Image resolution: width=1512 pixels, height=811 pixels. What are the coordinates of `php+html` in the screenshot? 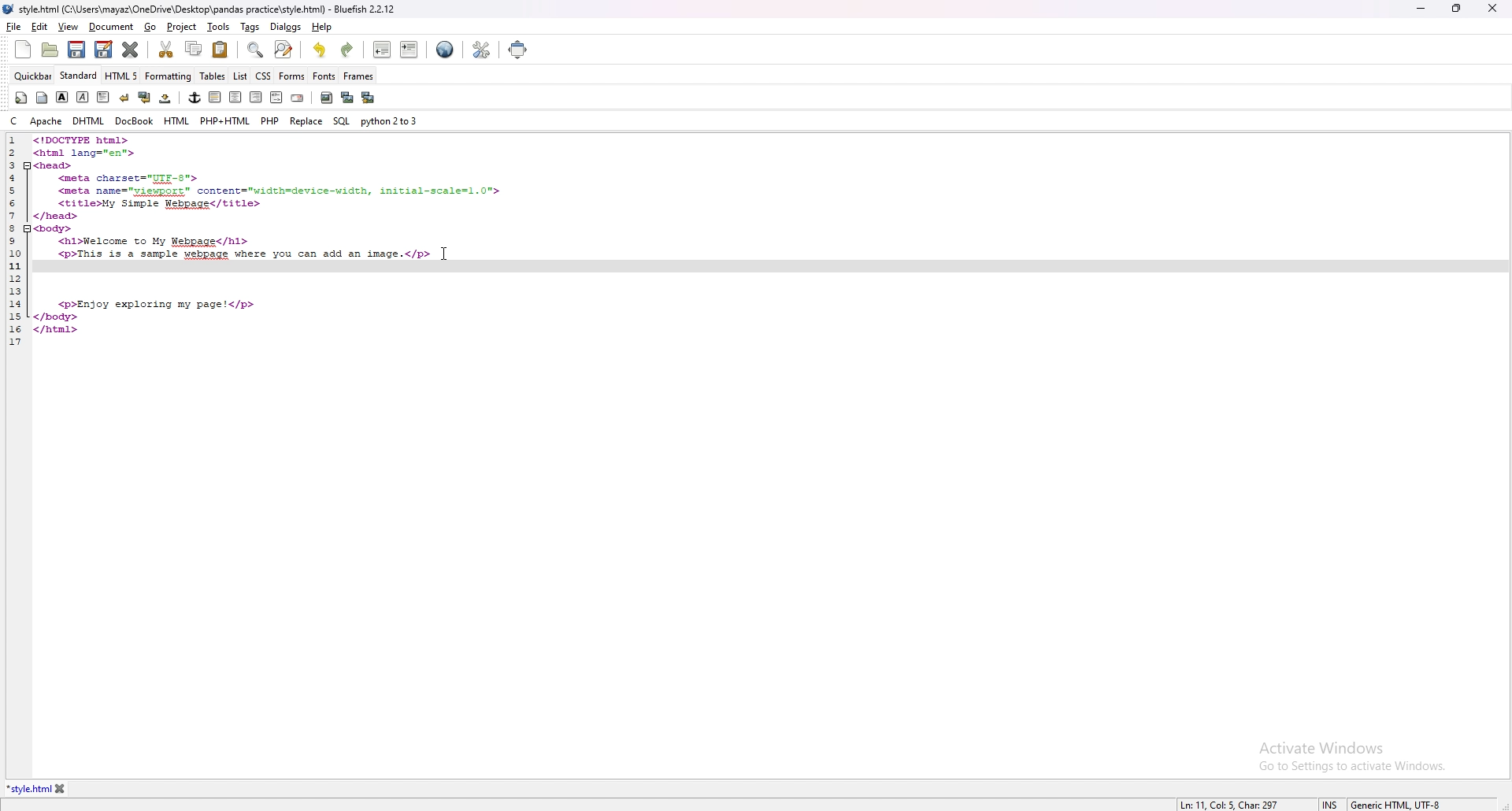 It's located at (226, 121).